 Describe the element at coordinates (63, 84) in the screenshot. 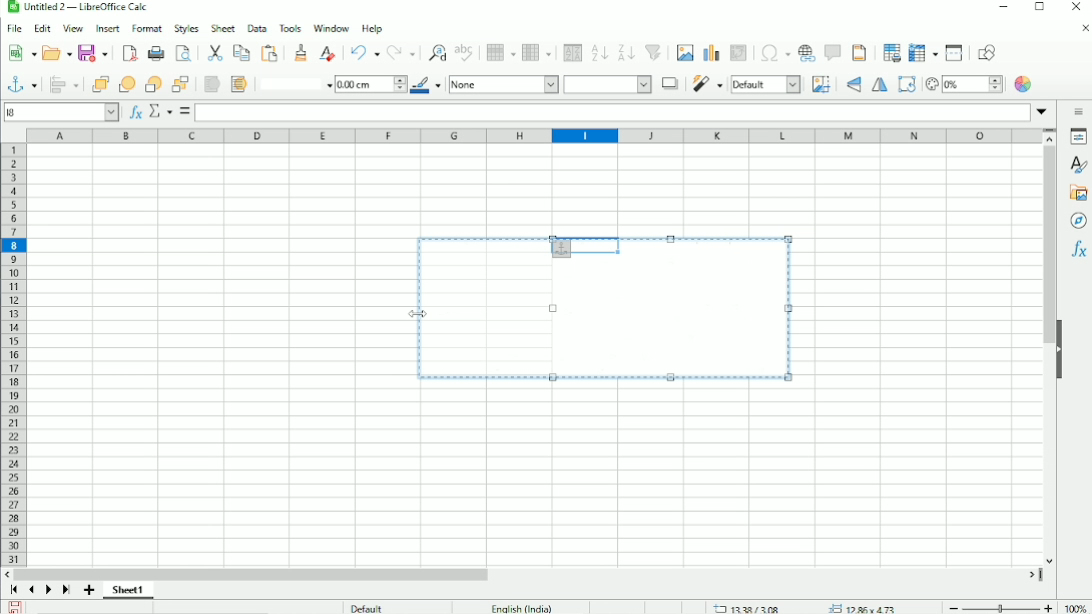

I see `Align objects` at that location.